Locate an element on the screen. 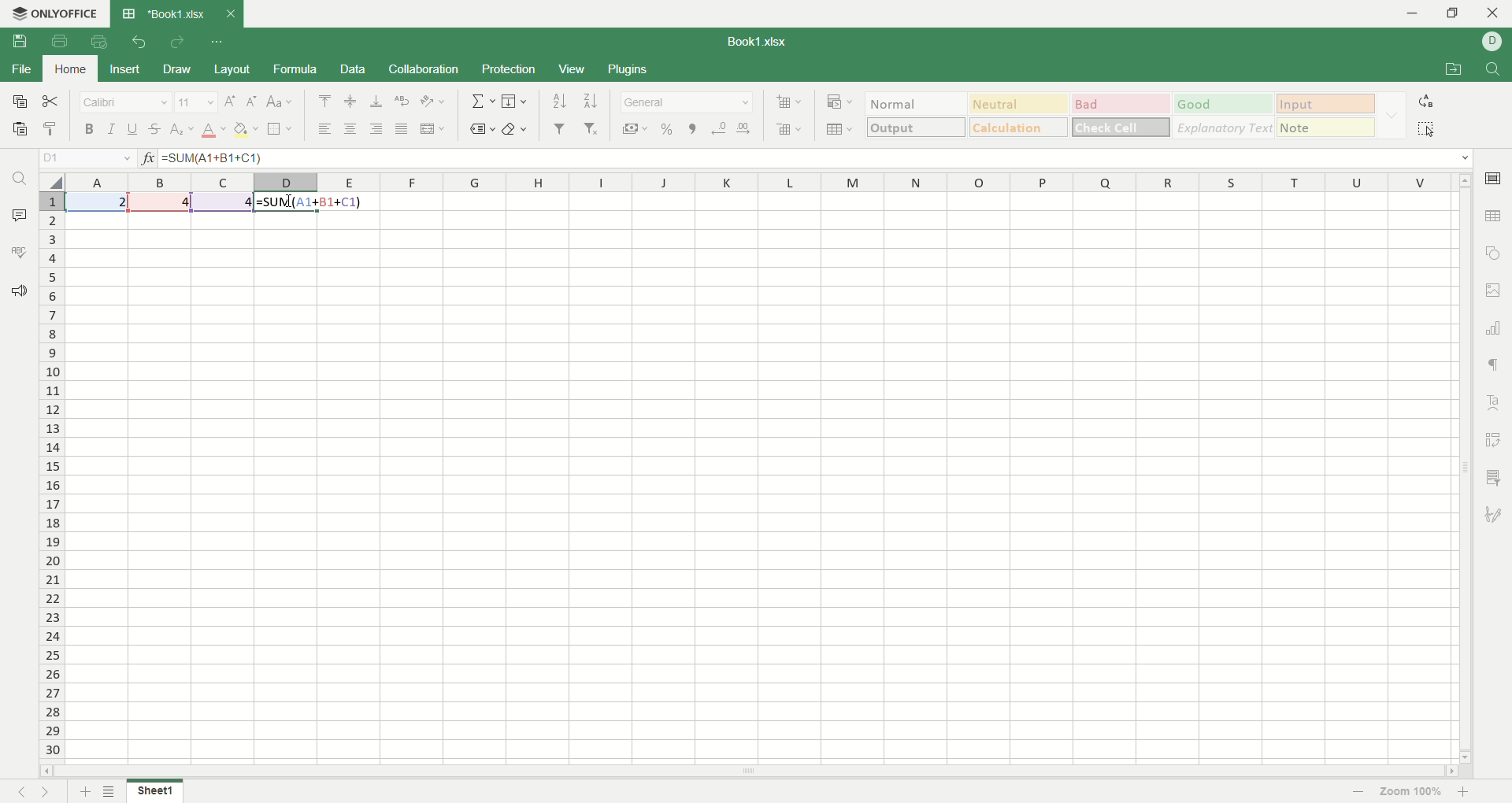 Image resolution: width=1512 pixels, height=803 pixels. align right is located at coordinates (379, 129).